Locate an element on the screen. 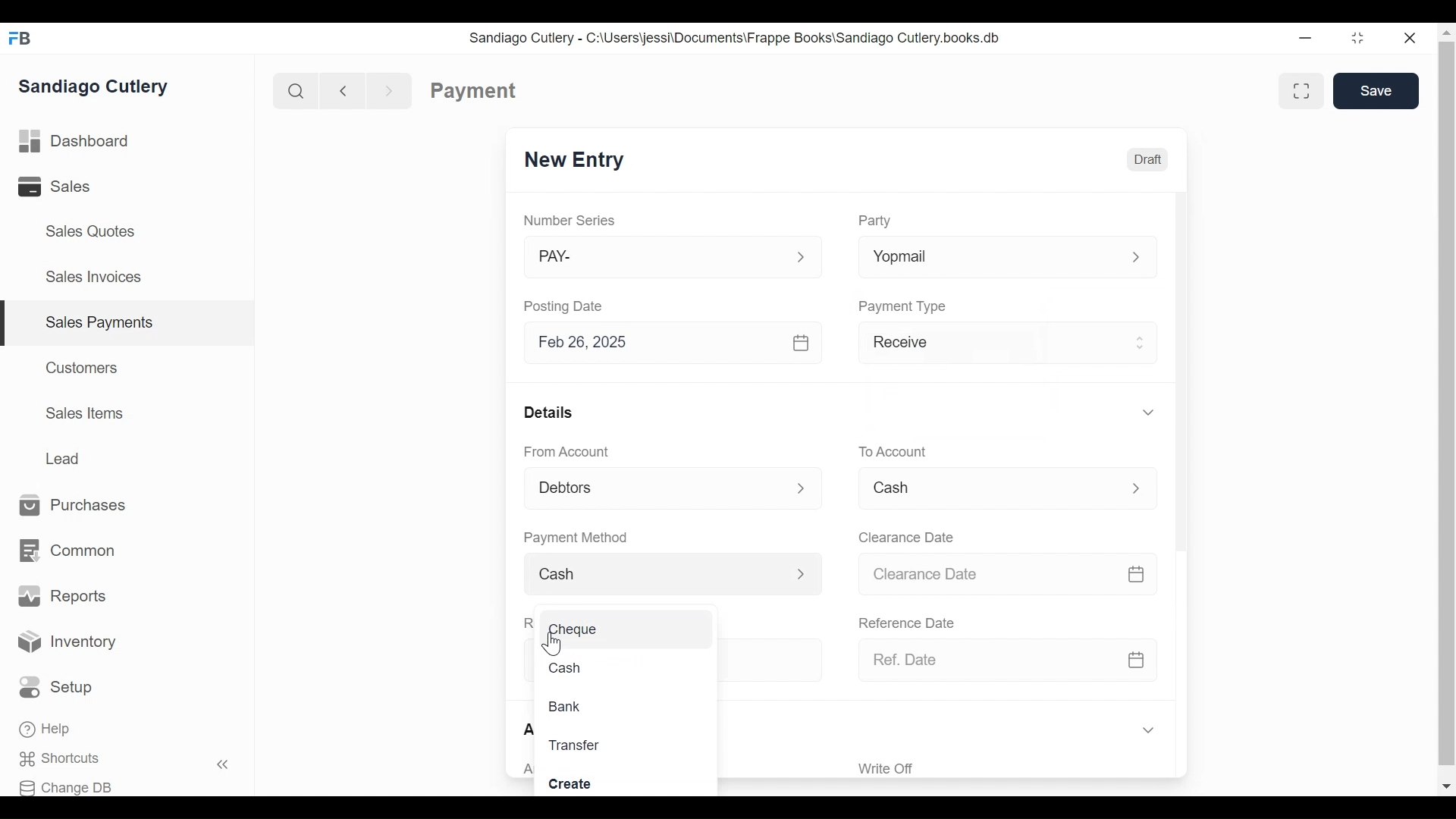 This screenshot has height=819, width=1456. Lead is located at coordinates (65, 457).